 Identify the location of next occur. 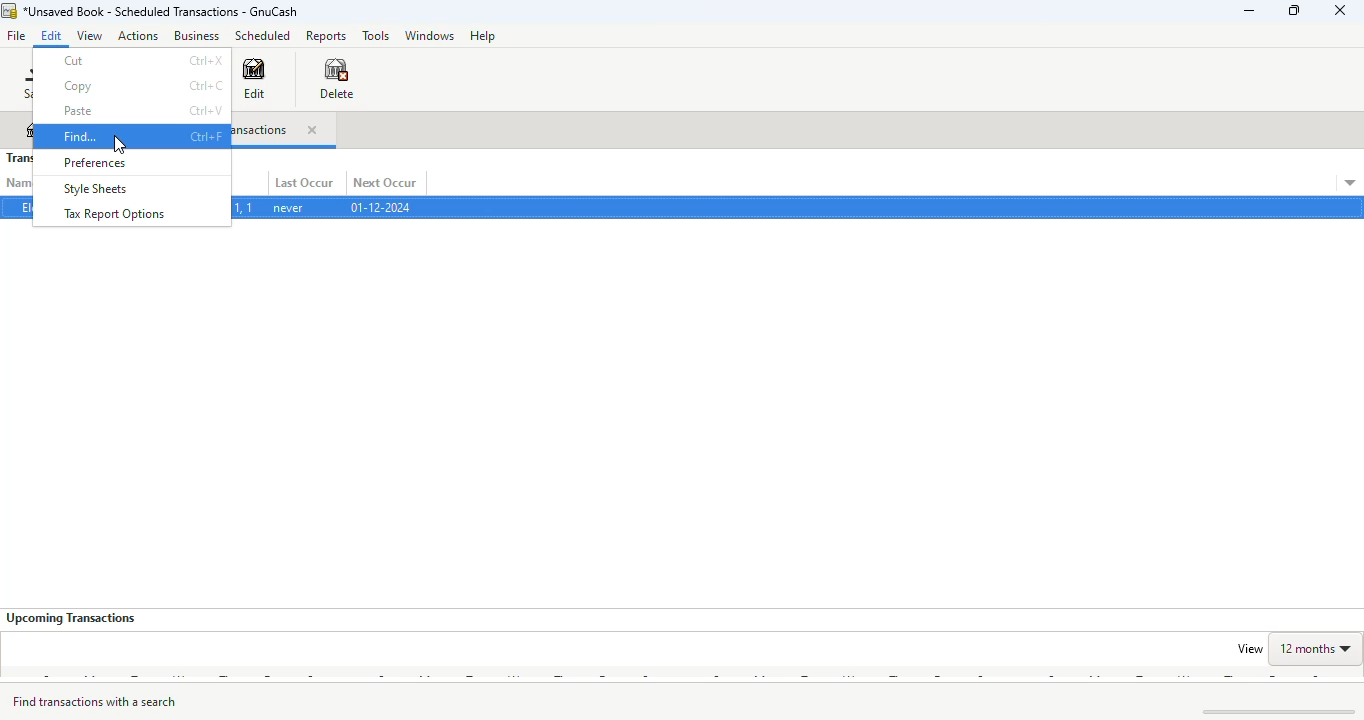
(384, 183).